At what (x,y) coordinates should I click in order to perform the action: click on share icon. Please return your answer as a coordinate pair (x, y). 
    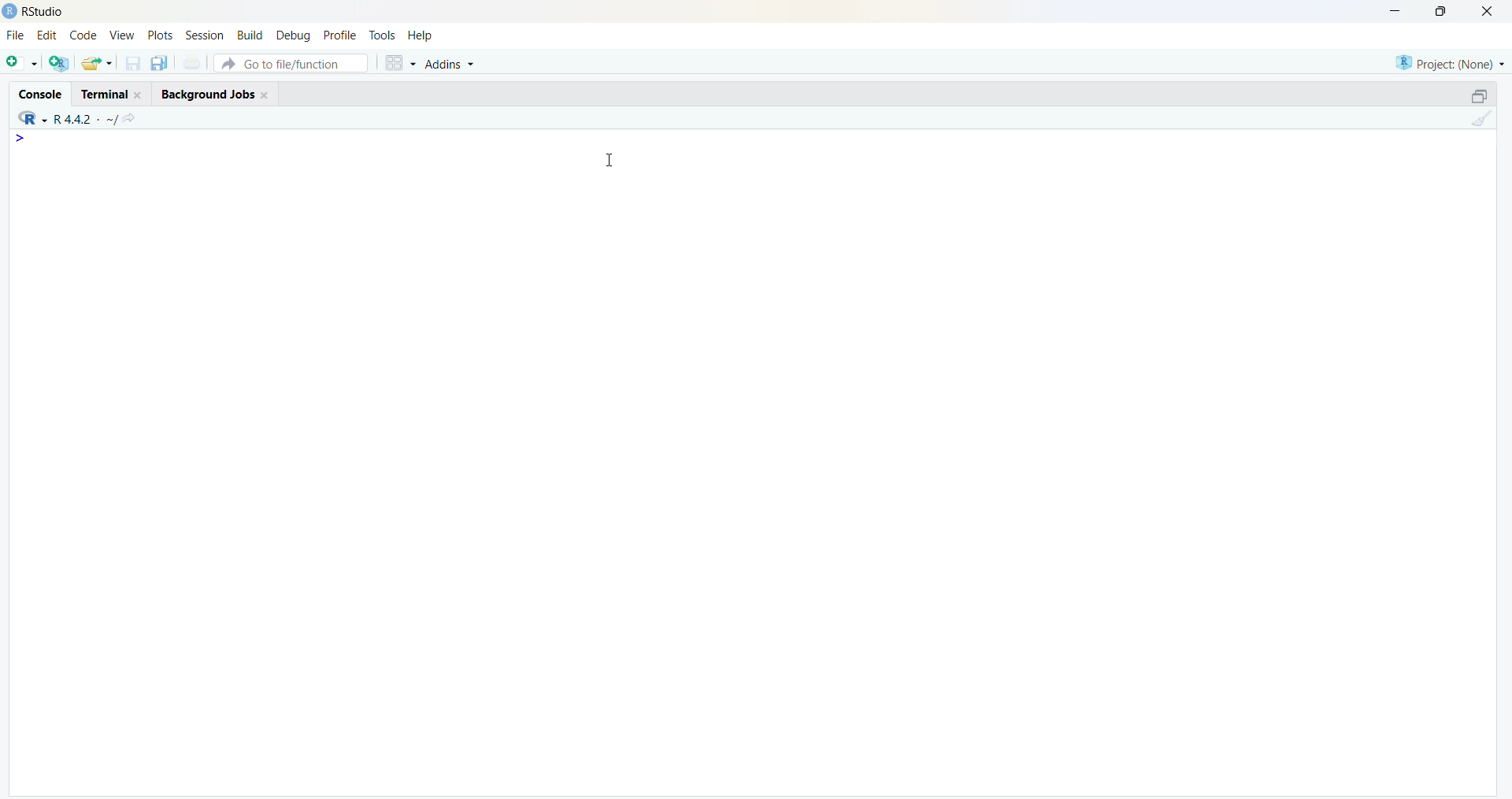
    Looking at the image, I should click on (129, 120).